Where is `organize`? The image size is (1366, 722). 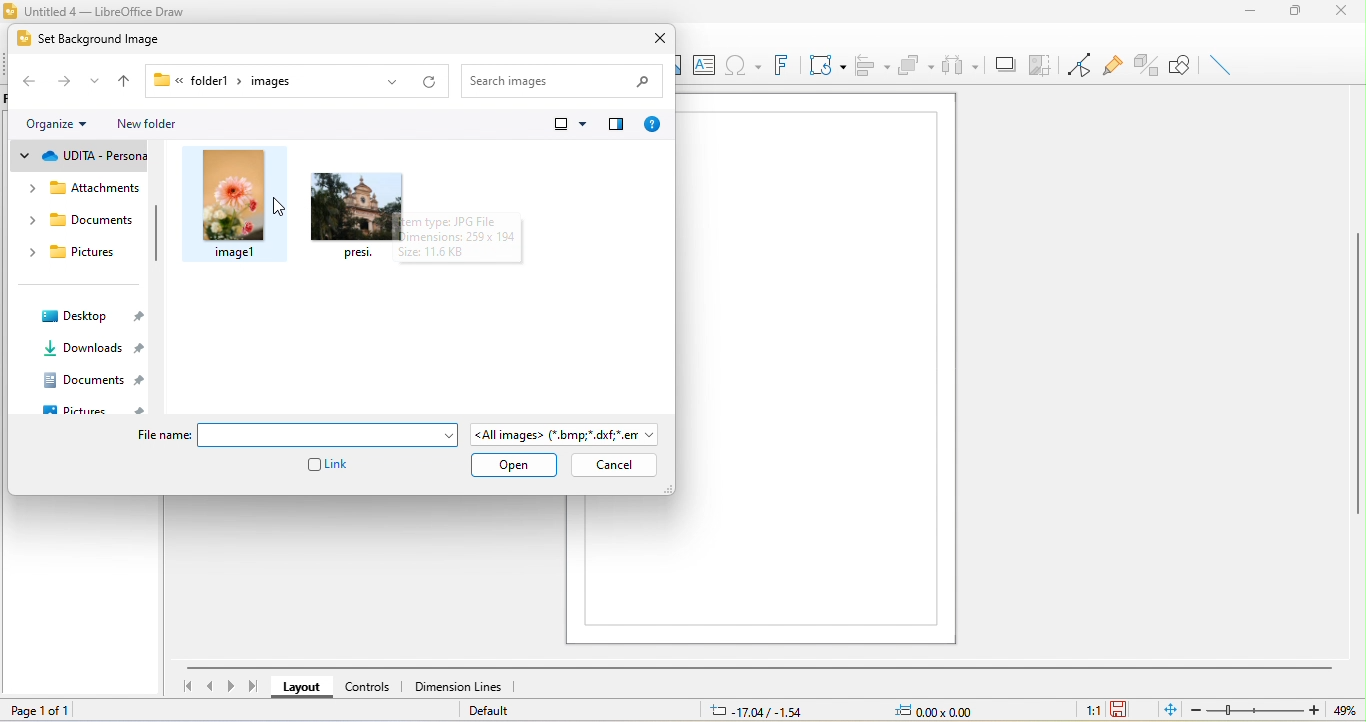
organize is located at coordinates (48, 122).